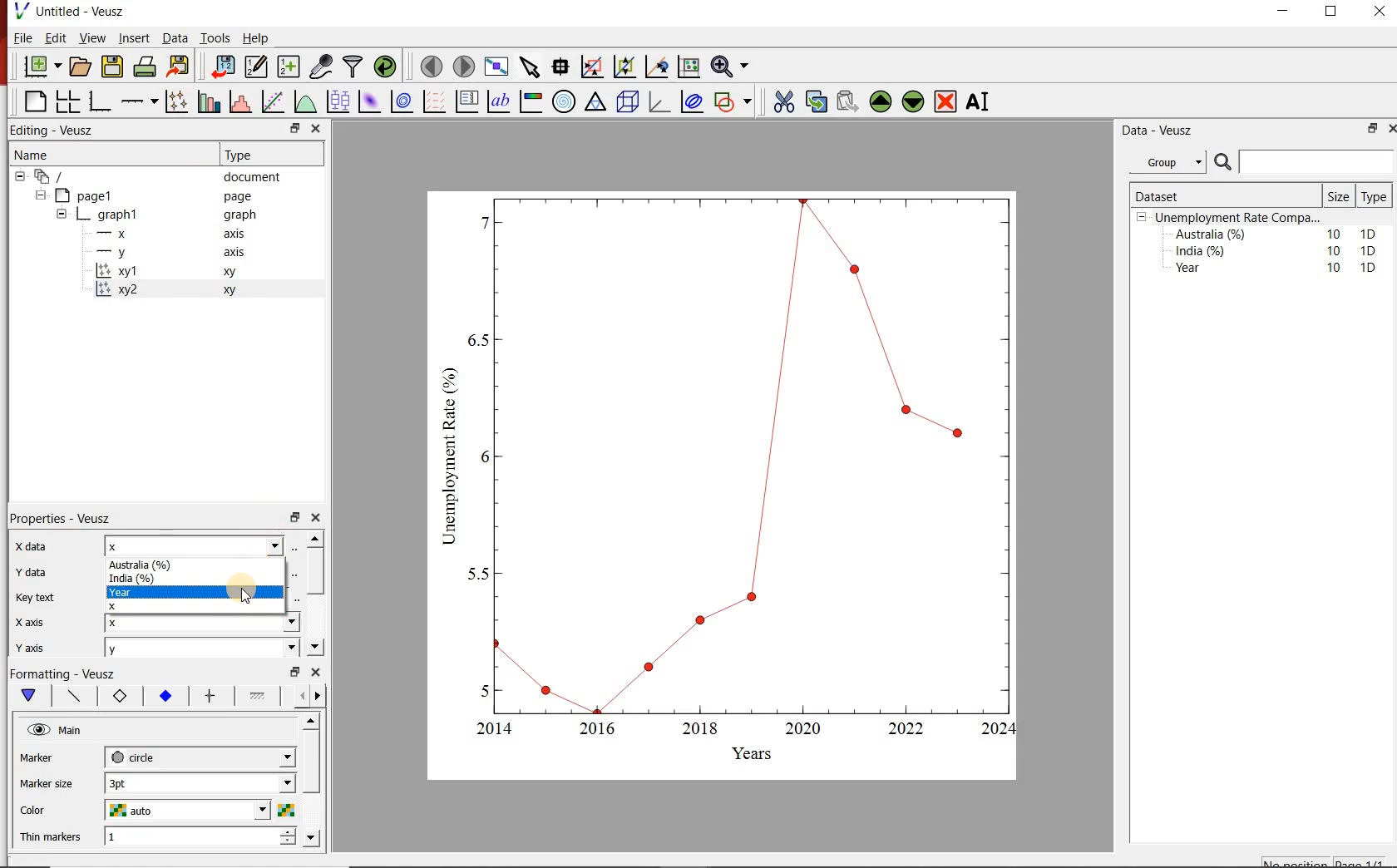 The width and height of the screenshot is (1397, 868). Describe the element at coordinates (1392, 127) in the screenshot. I see `close` at that location.